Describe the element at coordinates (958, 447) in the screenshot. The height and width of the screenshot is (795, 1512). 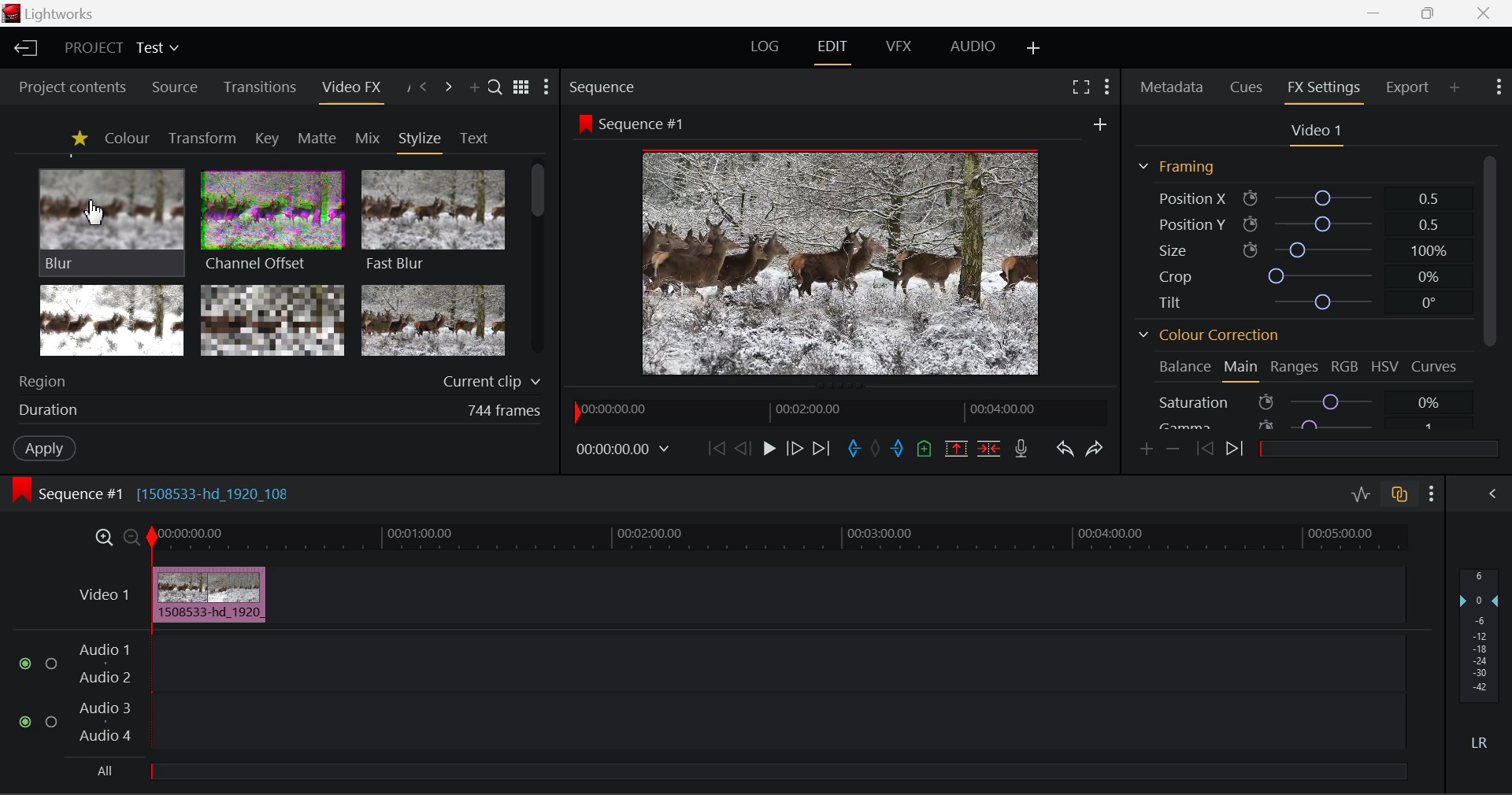
I see `Remove Marked Section` at that location.